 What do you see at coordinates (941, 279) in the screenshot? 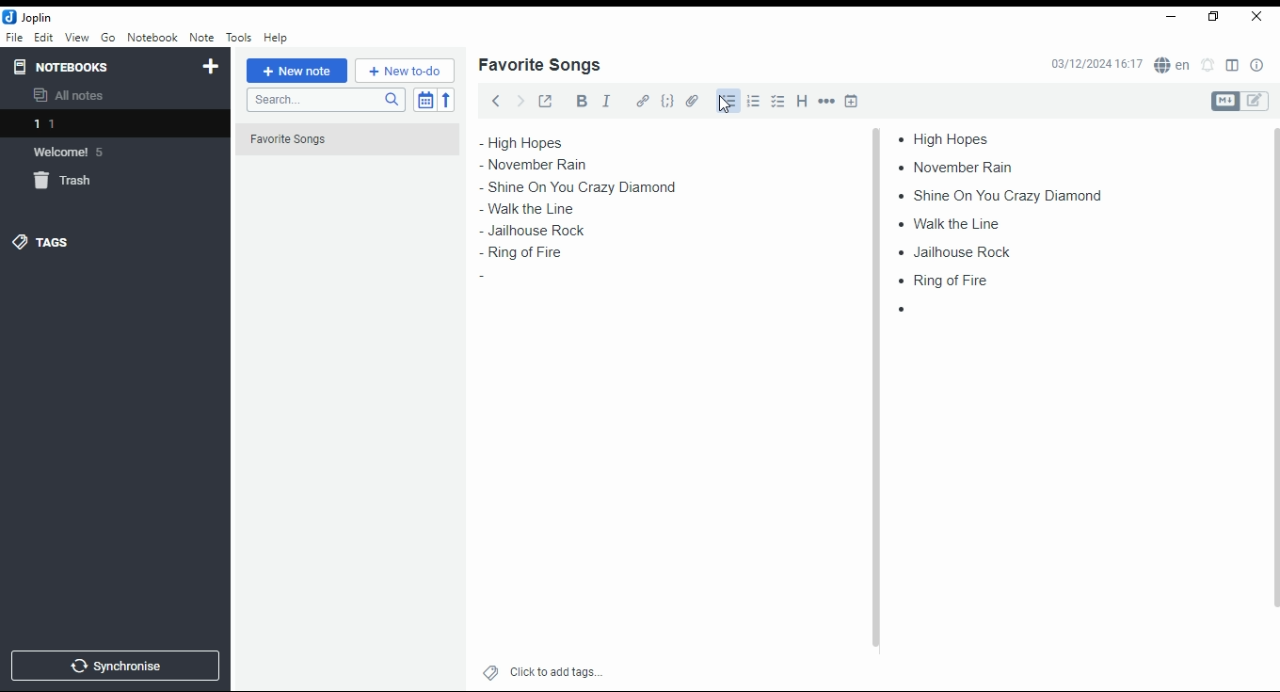
I see `ring of fire` at bounding box center [941, 279].